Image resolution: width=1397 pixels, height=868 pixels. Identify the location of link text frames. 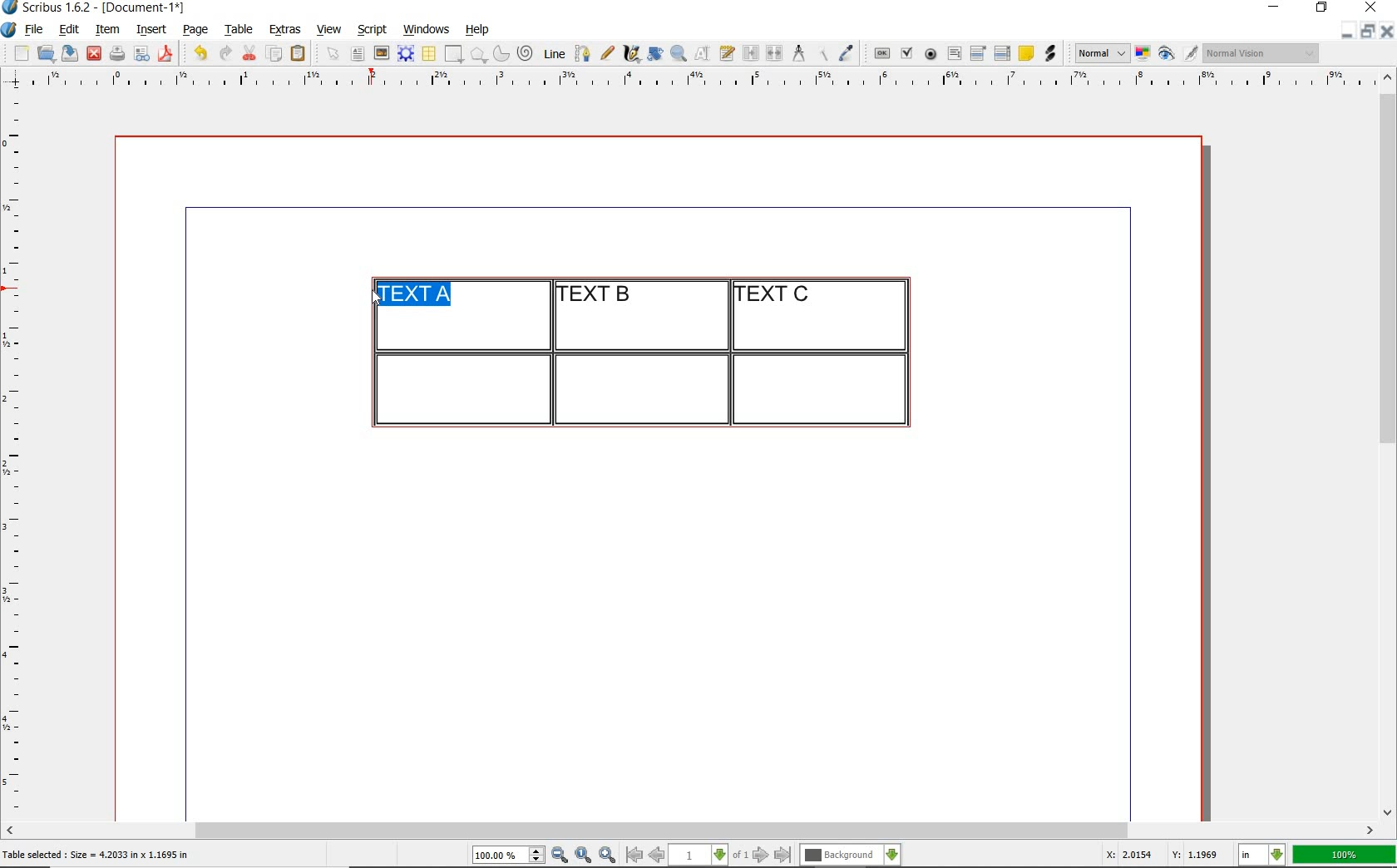
(752, 55).